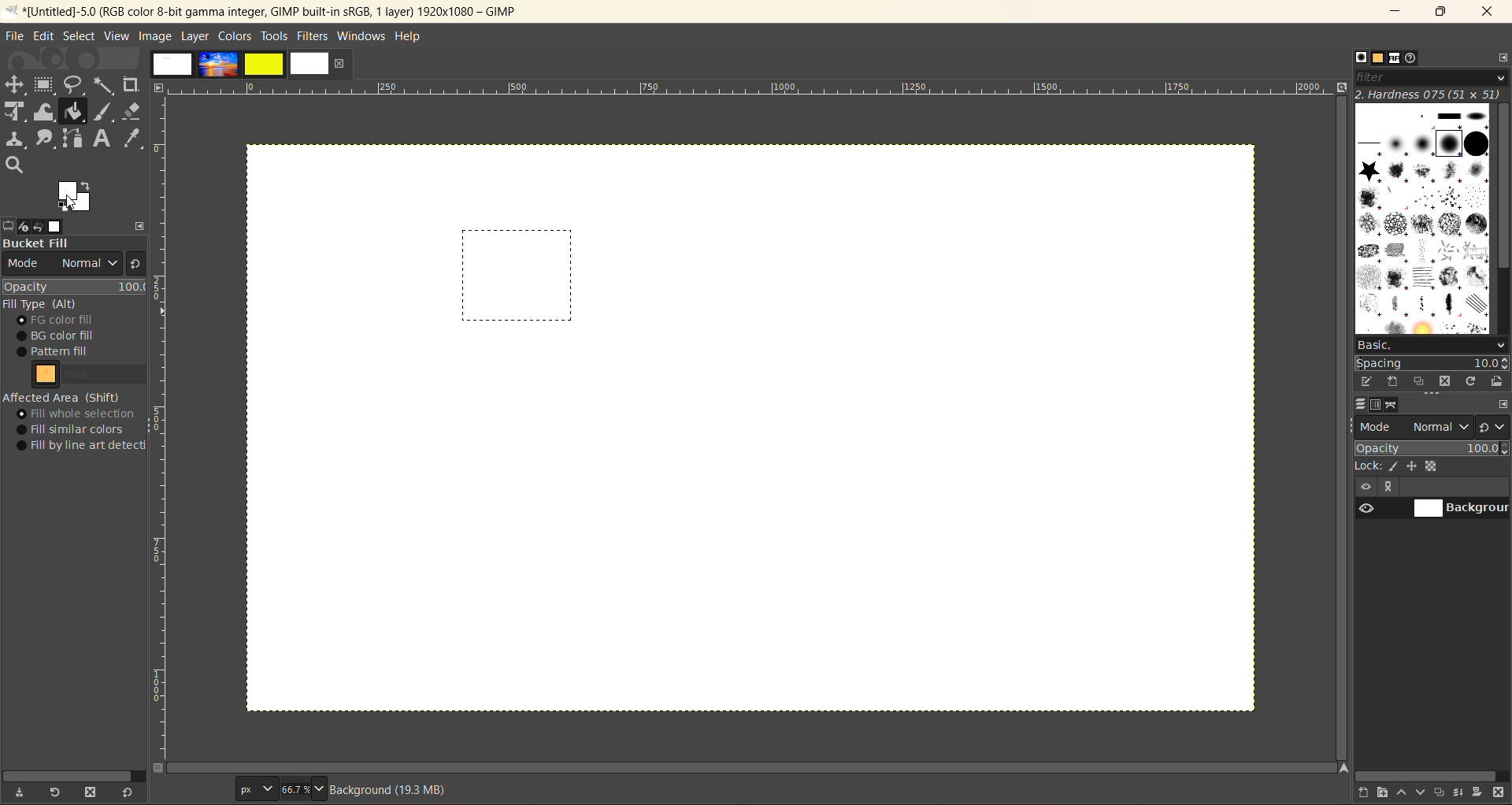  I want to click on configure, so click(1502, 406).